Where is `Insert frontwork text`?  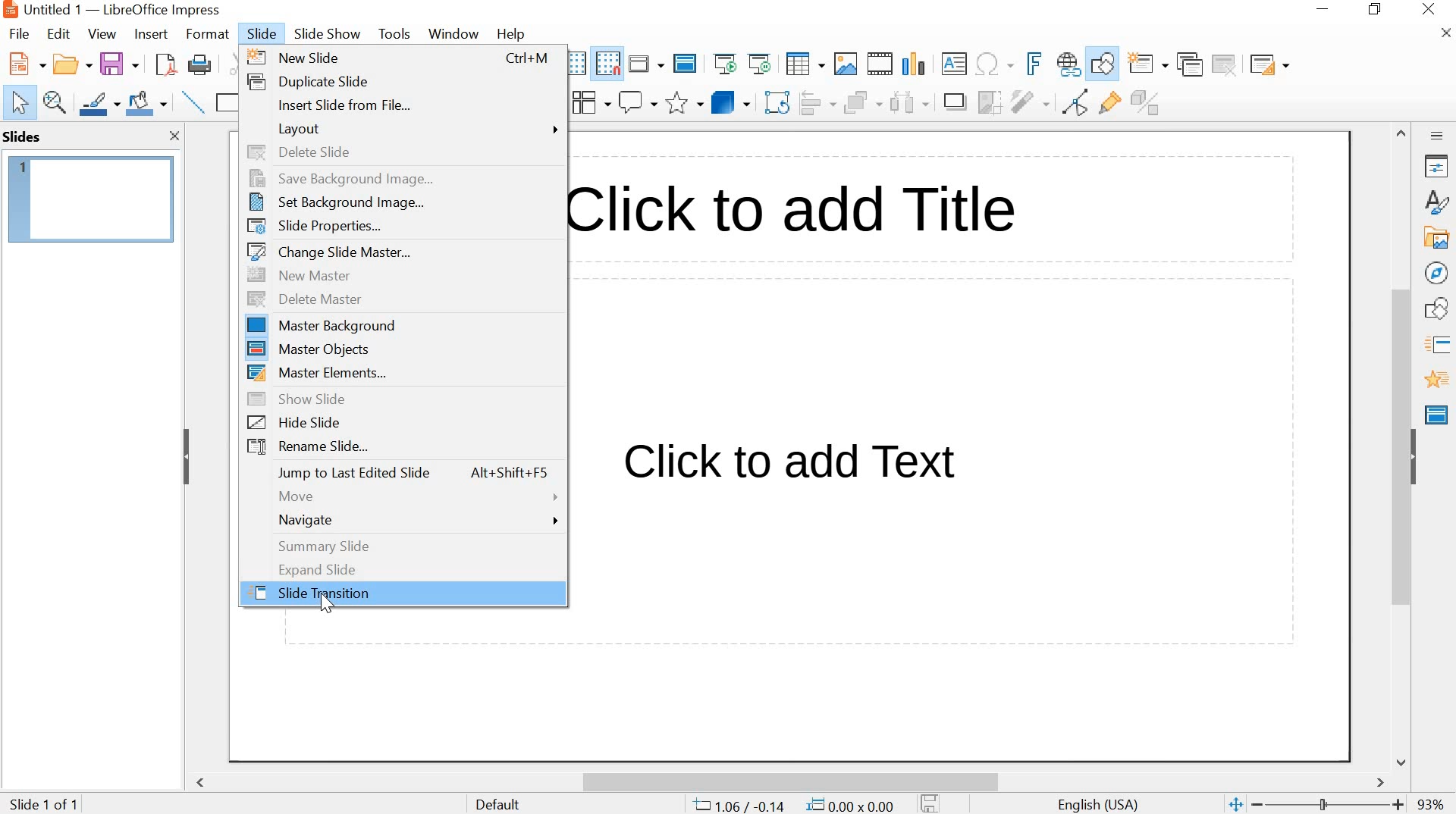 Insert frontwork text is located at coordinates (1029, 64).